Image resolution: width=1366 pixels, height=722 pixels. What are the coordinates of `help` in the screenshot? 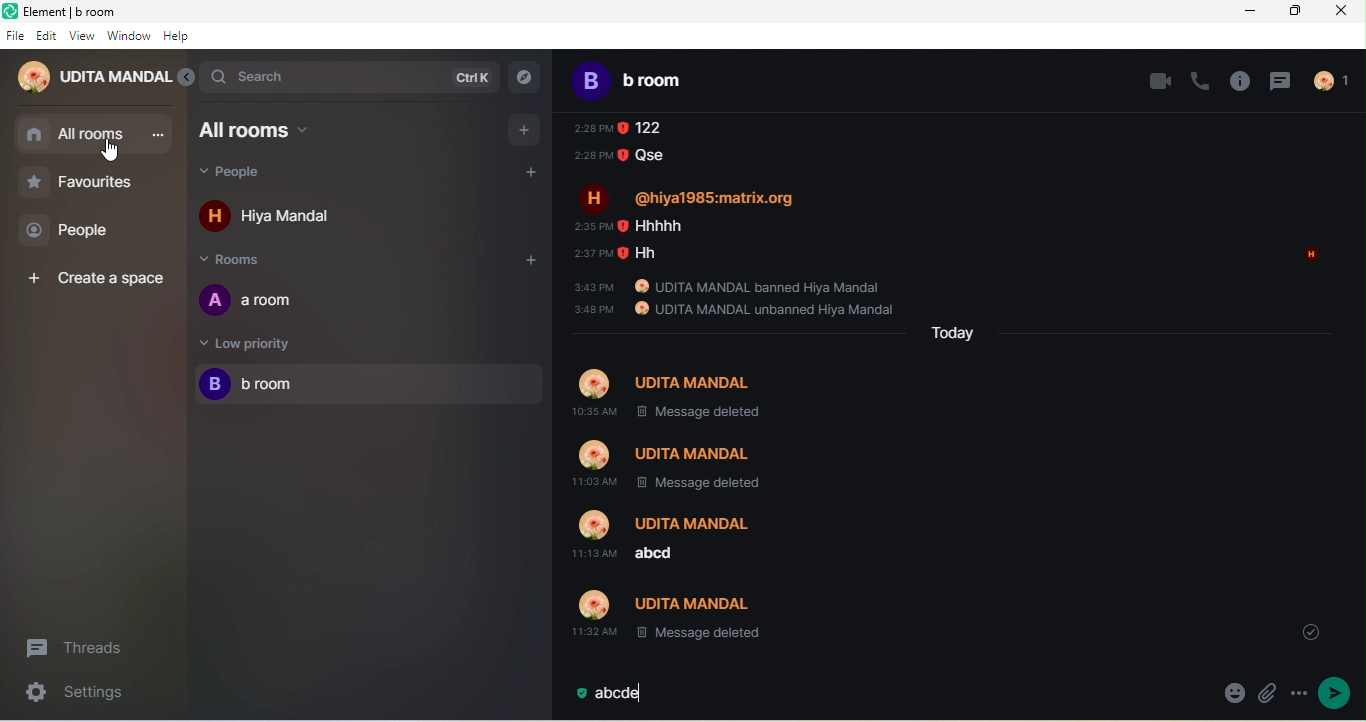 It's located at (184, 39).